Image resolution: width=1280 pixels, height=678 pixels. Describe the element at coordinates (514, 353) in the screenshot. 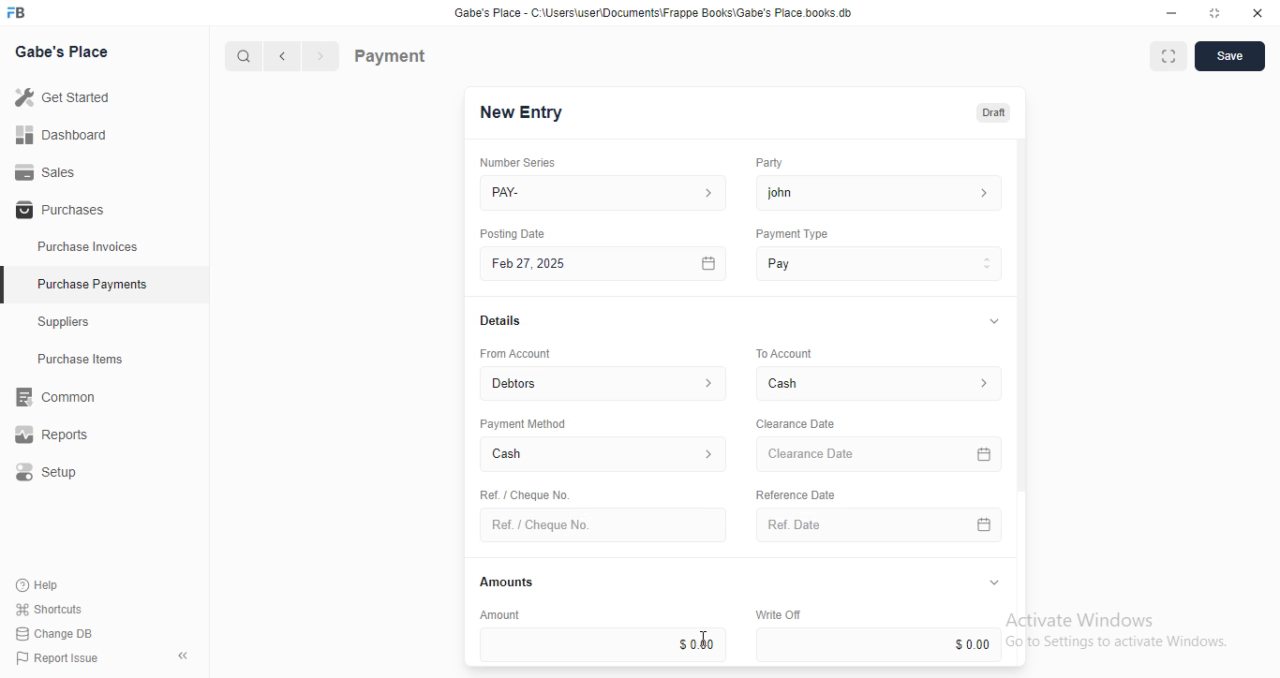

I see `‘From Account` at that location.